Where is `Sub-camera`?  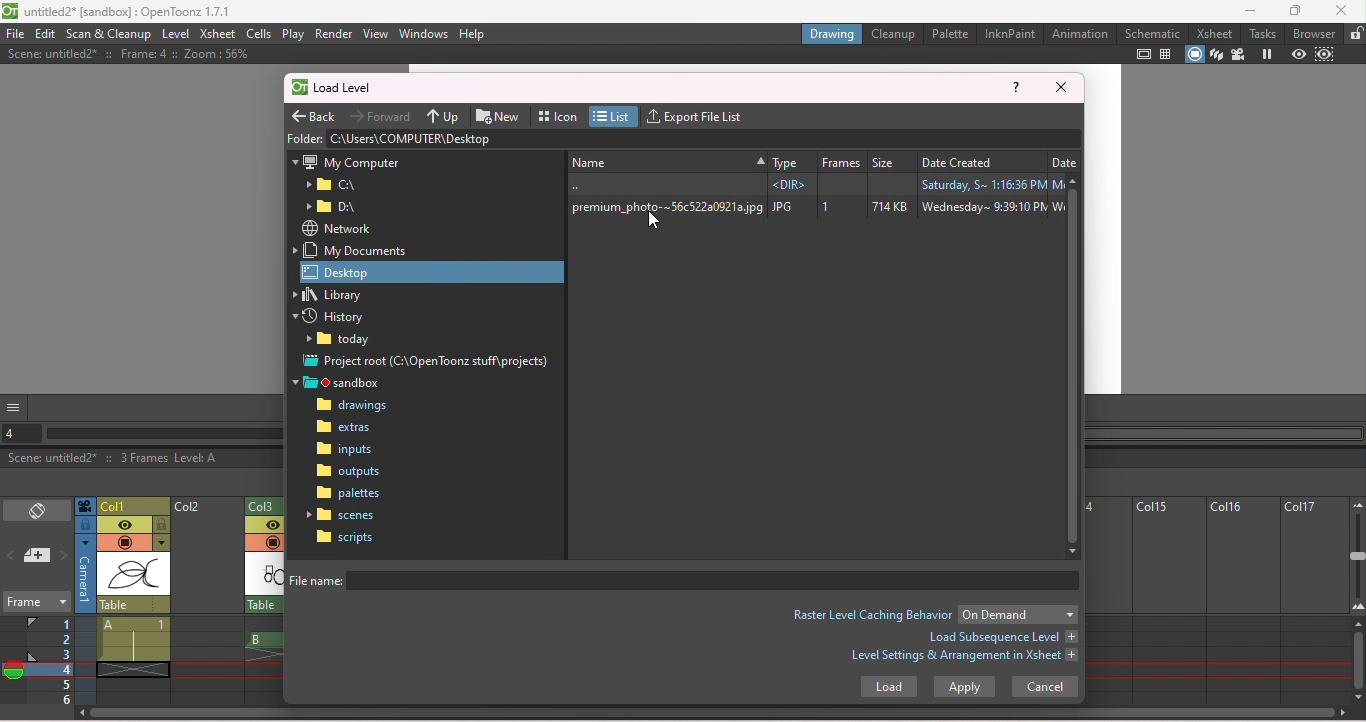
Sub-camera is located at coordinates (1327, 55).